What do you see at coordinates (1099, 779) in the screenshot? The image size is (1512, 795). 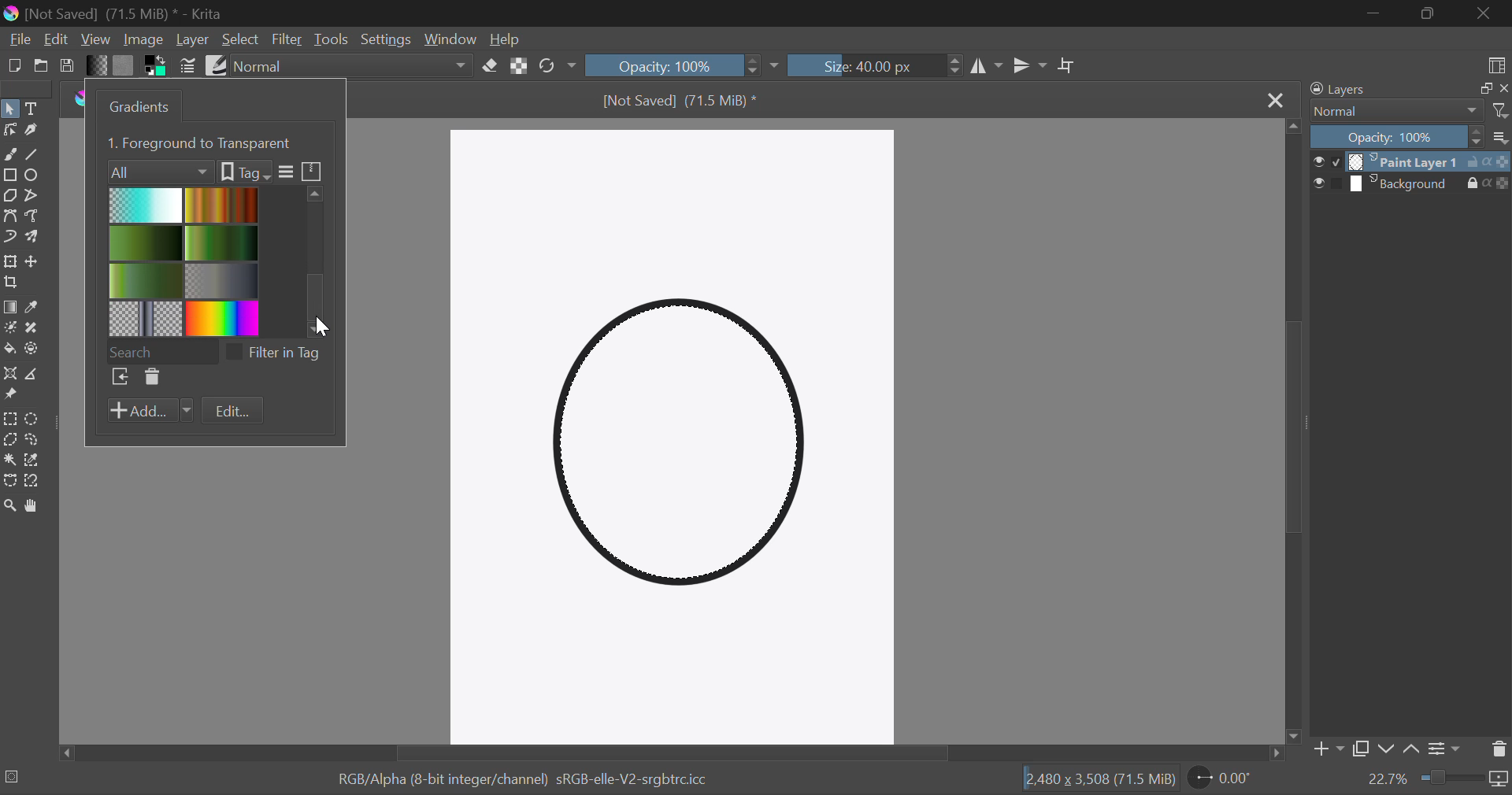 I see `12,480 x 3,508 (71.5 MiB)` at bounding box center [1099, 779].